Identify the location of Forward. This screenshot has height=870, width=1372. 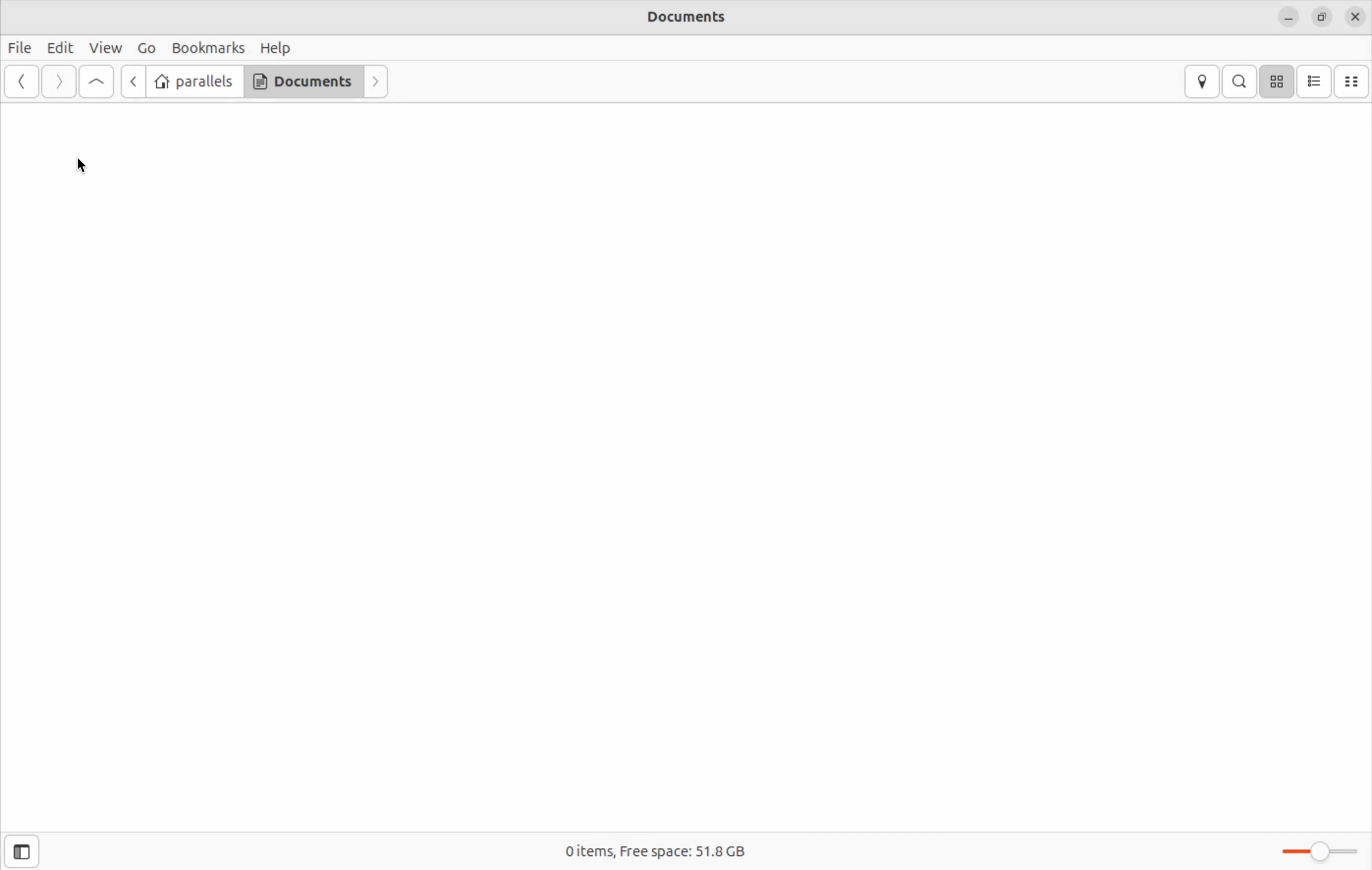
(59, 82).